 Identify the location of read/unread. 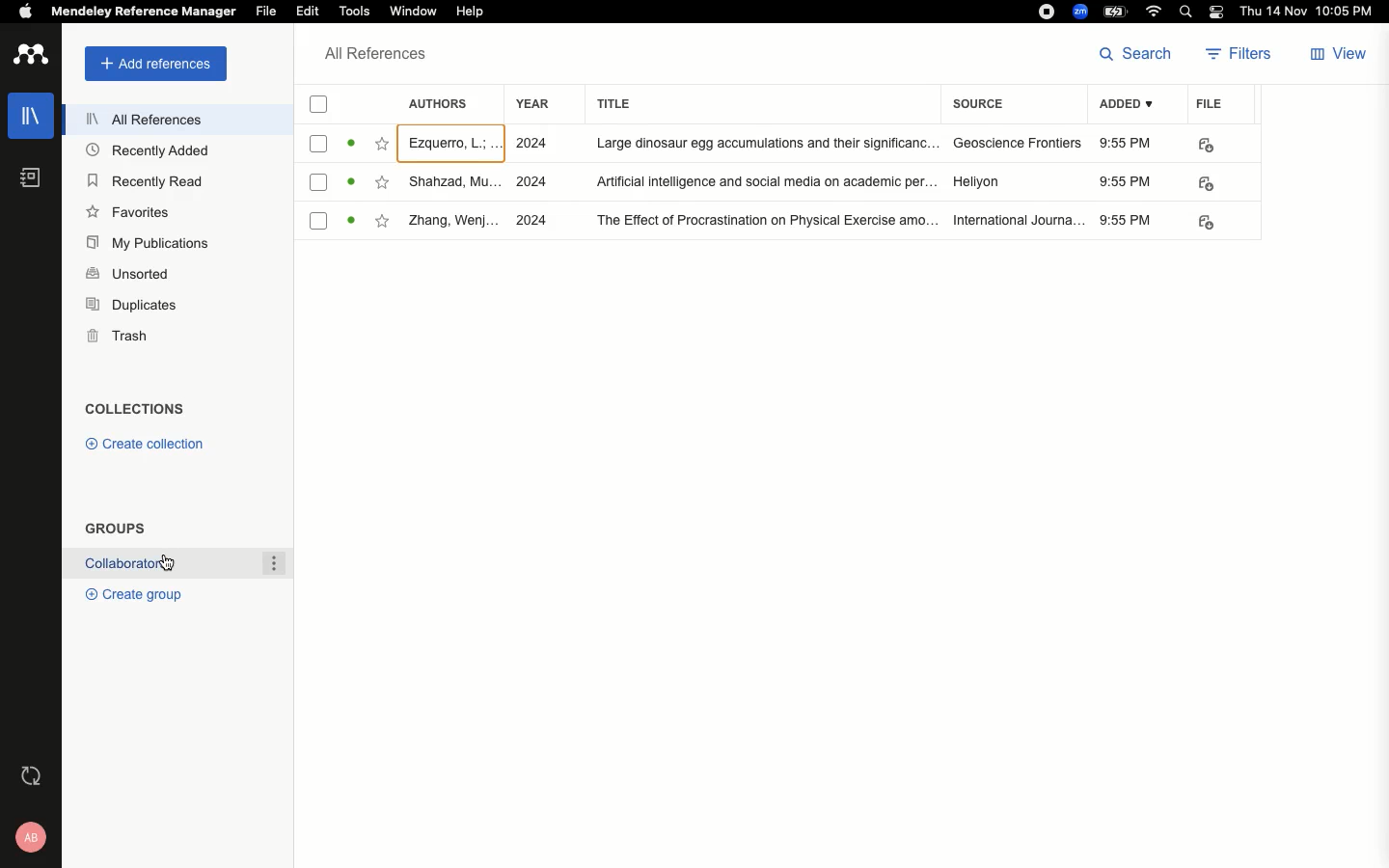
(353, 220).